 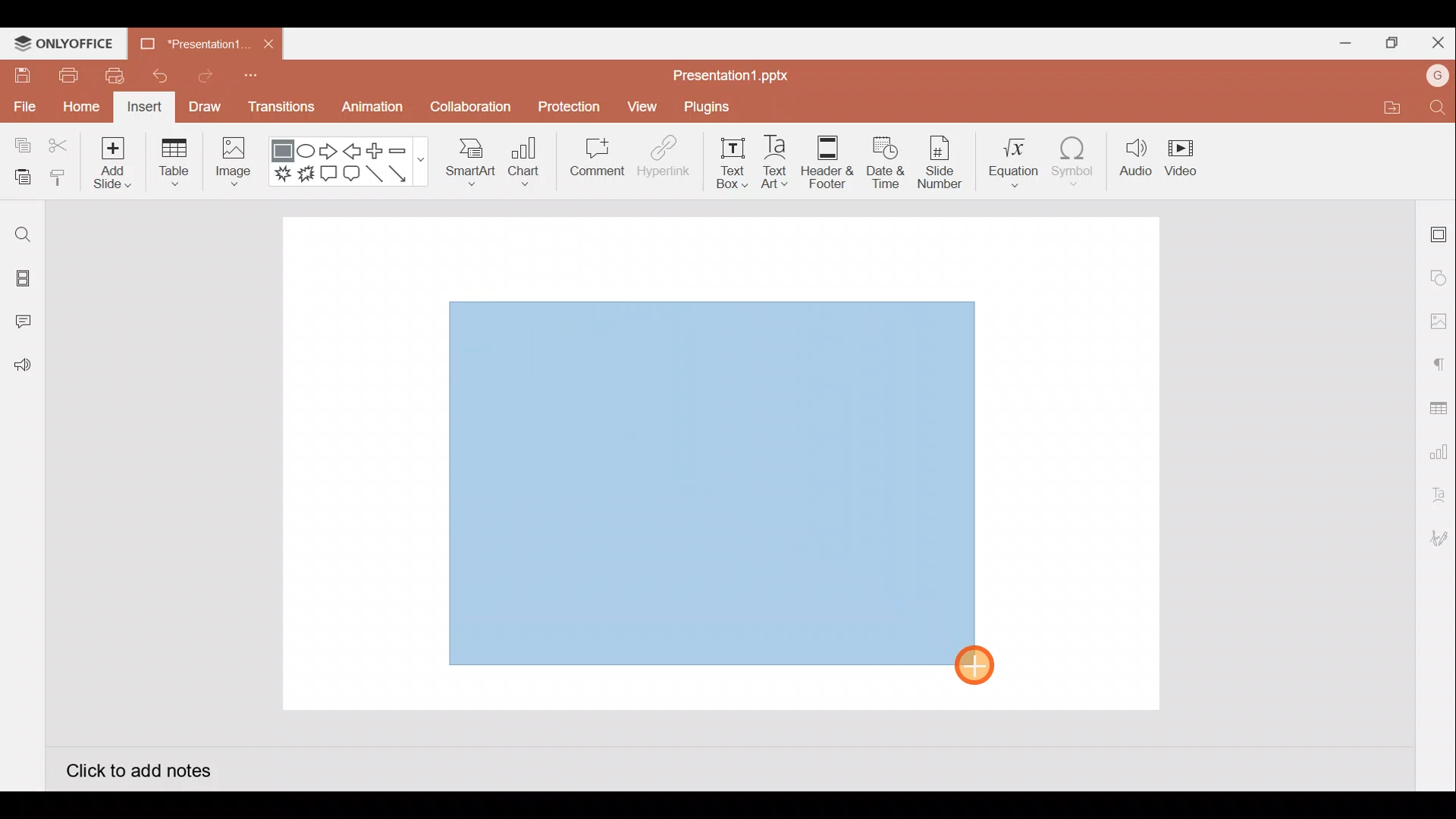 I want to click on Maximize, so click(x=1388, y=43).